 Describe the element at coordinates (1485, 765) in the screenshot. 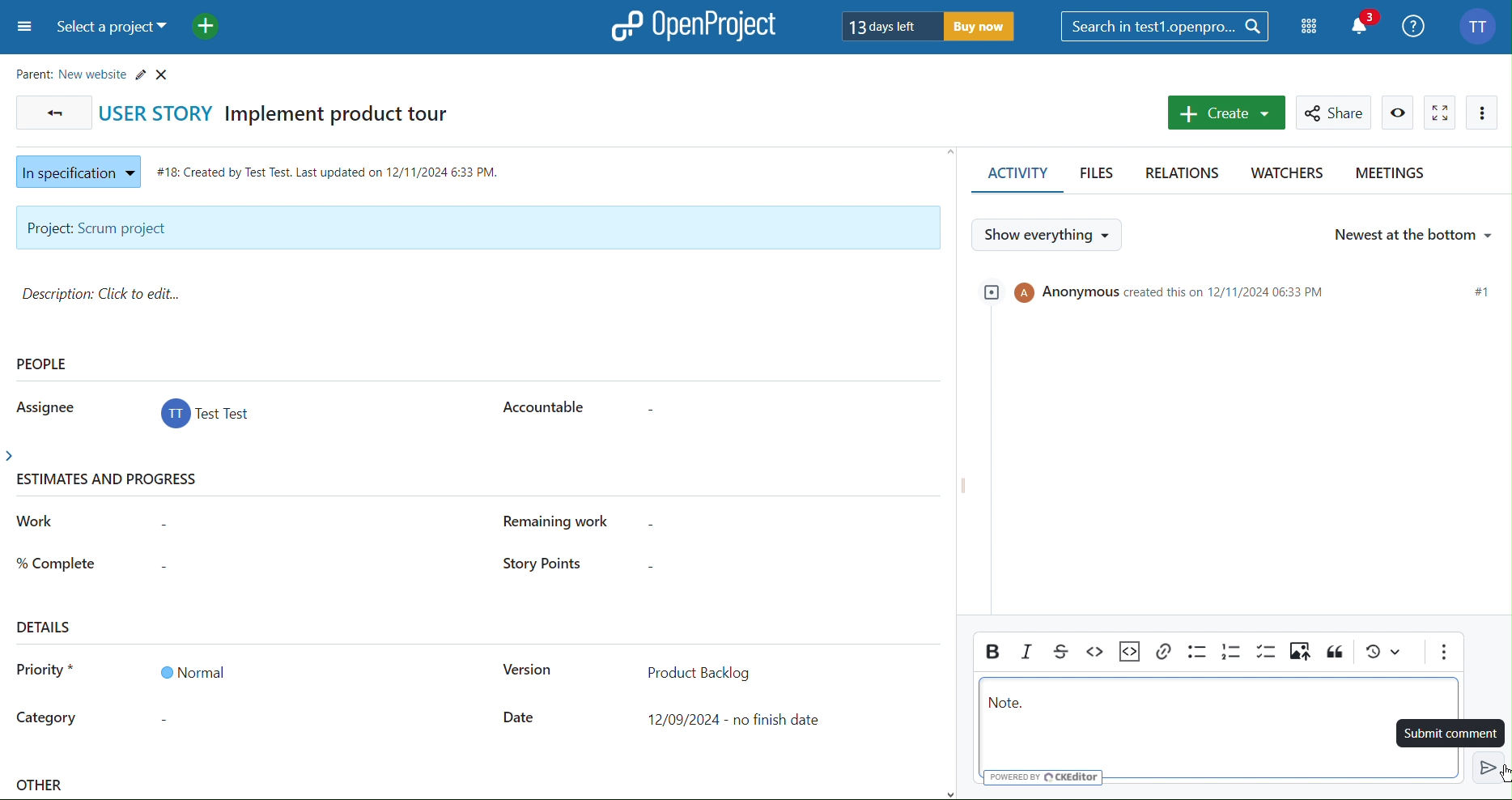

I see `send` at that location.